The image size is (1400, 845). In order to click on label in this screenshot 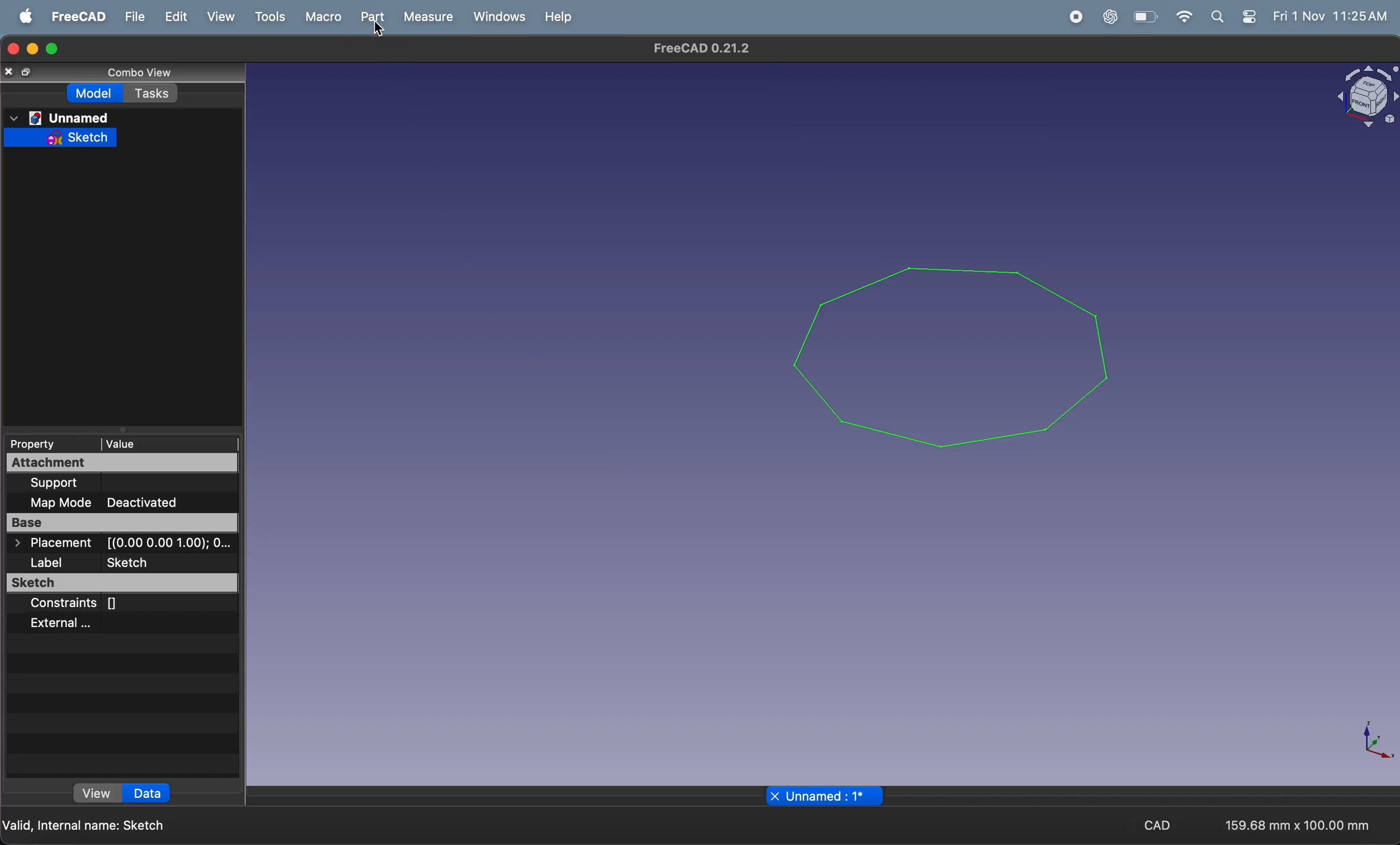, I will do `click(93, 561)`.